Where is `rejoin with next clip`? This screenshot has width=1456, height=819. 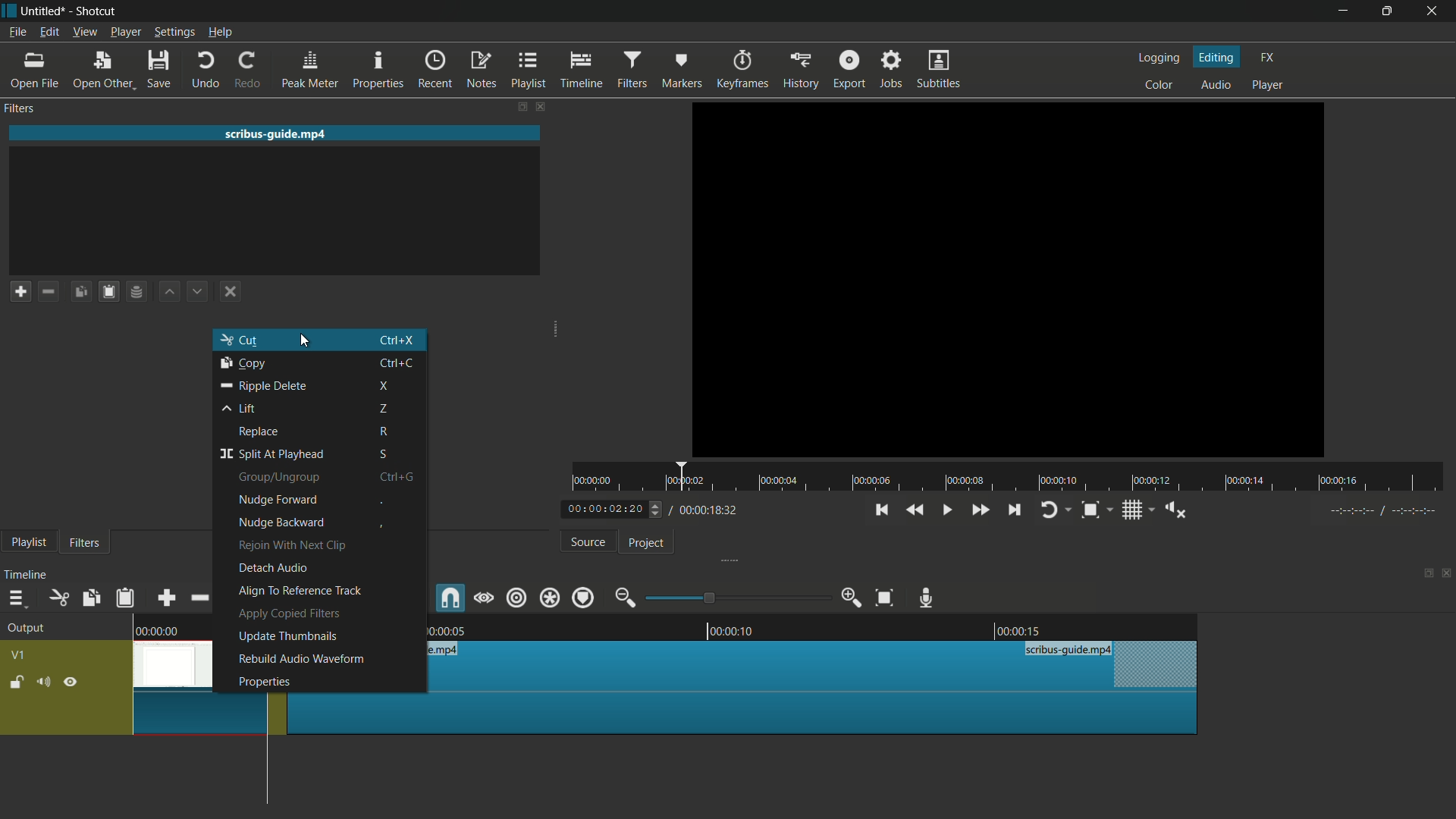
rejoin with next clip is located at coordinates (294, 546).